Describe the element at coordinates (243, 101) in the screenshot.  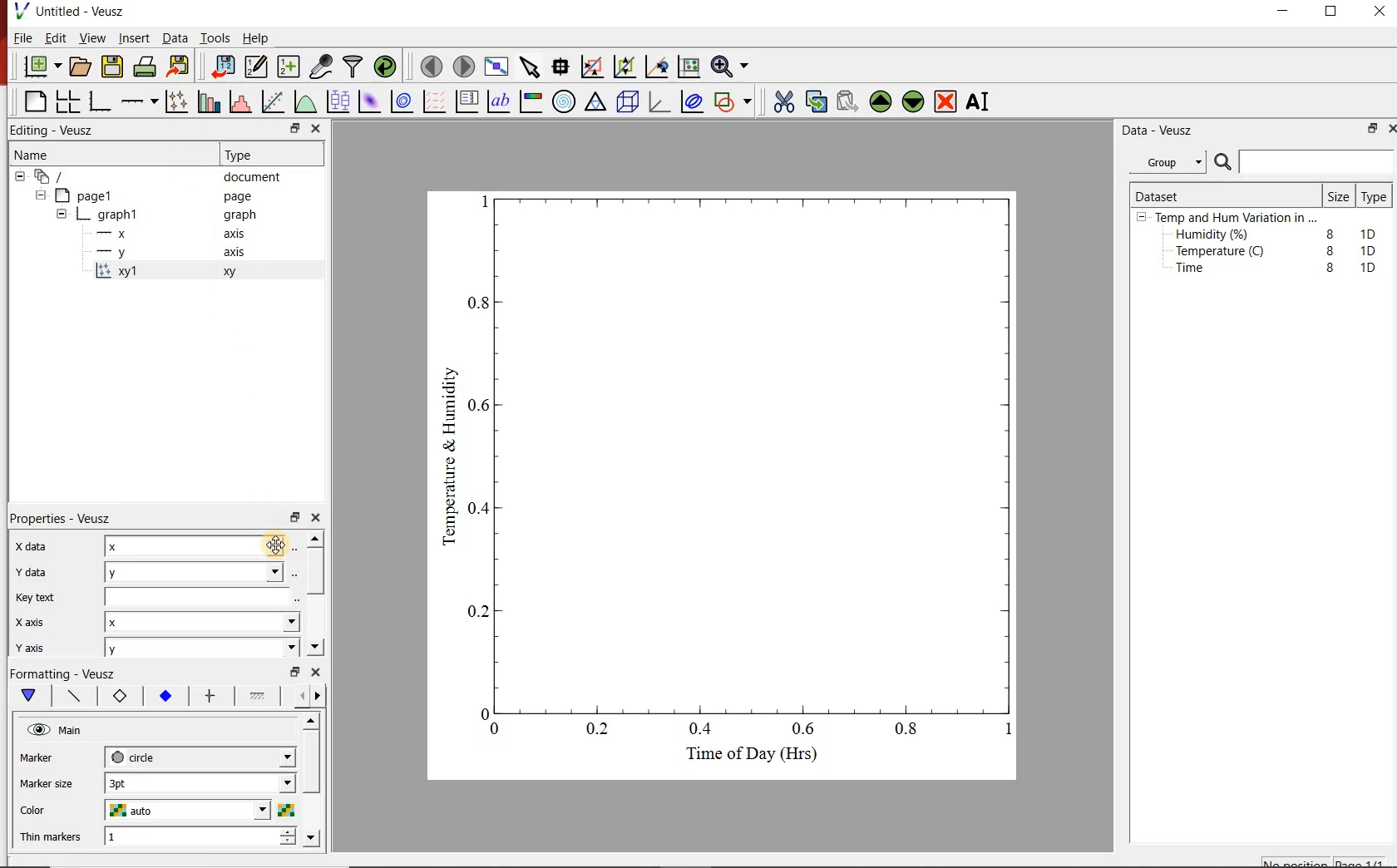
I see `histogram of a dataset` at that location.